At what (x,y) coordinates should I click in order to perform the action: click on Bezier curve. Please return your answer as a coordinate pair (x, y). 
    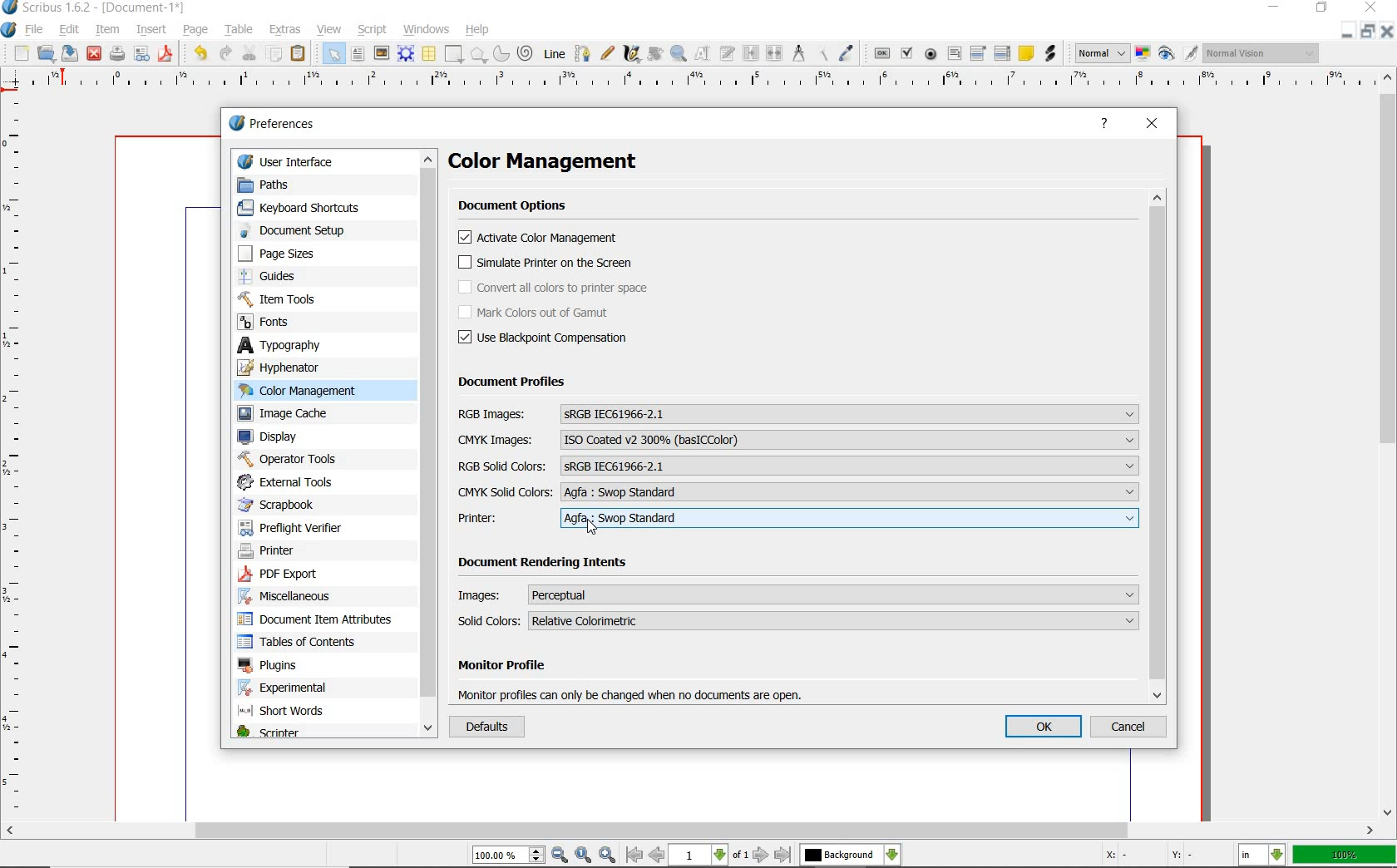
    Looking at the image, I should click on (582, 52).